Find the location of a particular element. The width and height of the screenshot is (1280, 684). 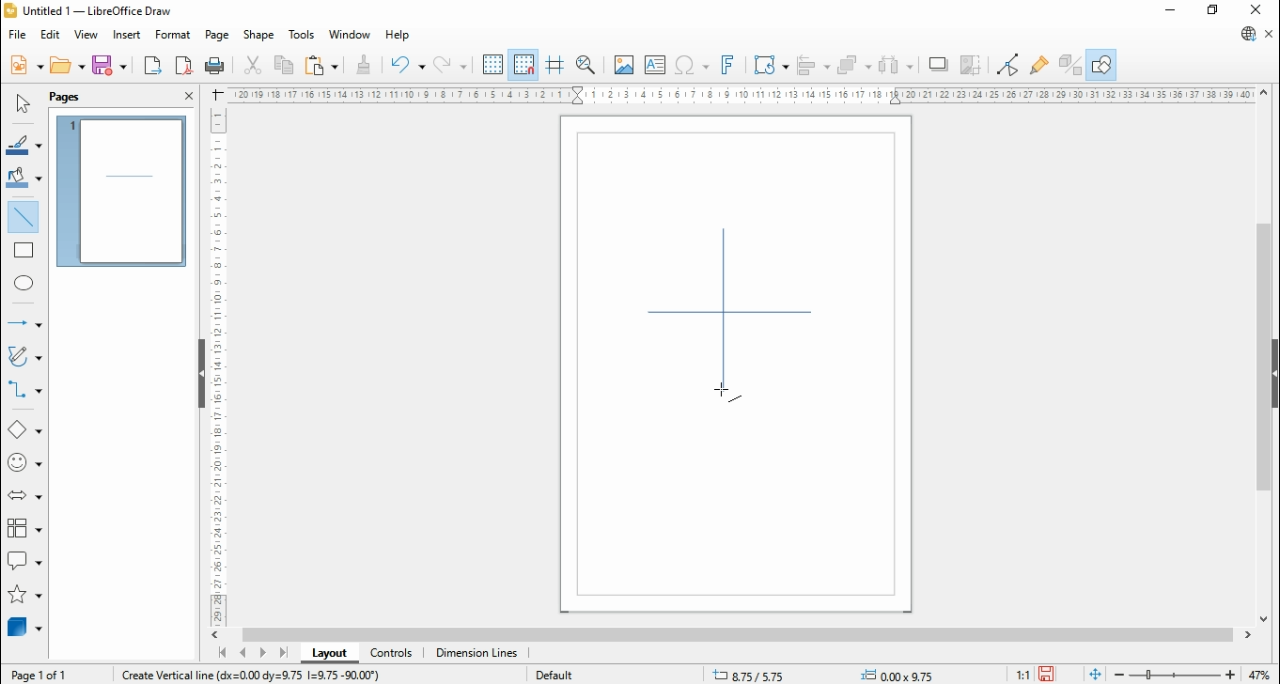

new line is located at coordinates (725, 310).